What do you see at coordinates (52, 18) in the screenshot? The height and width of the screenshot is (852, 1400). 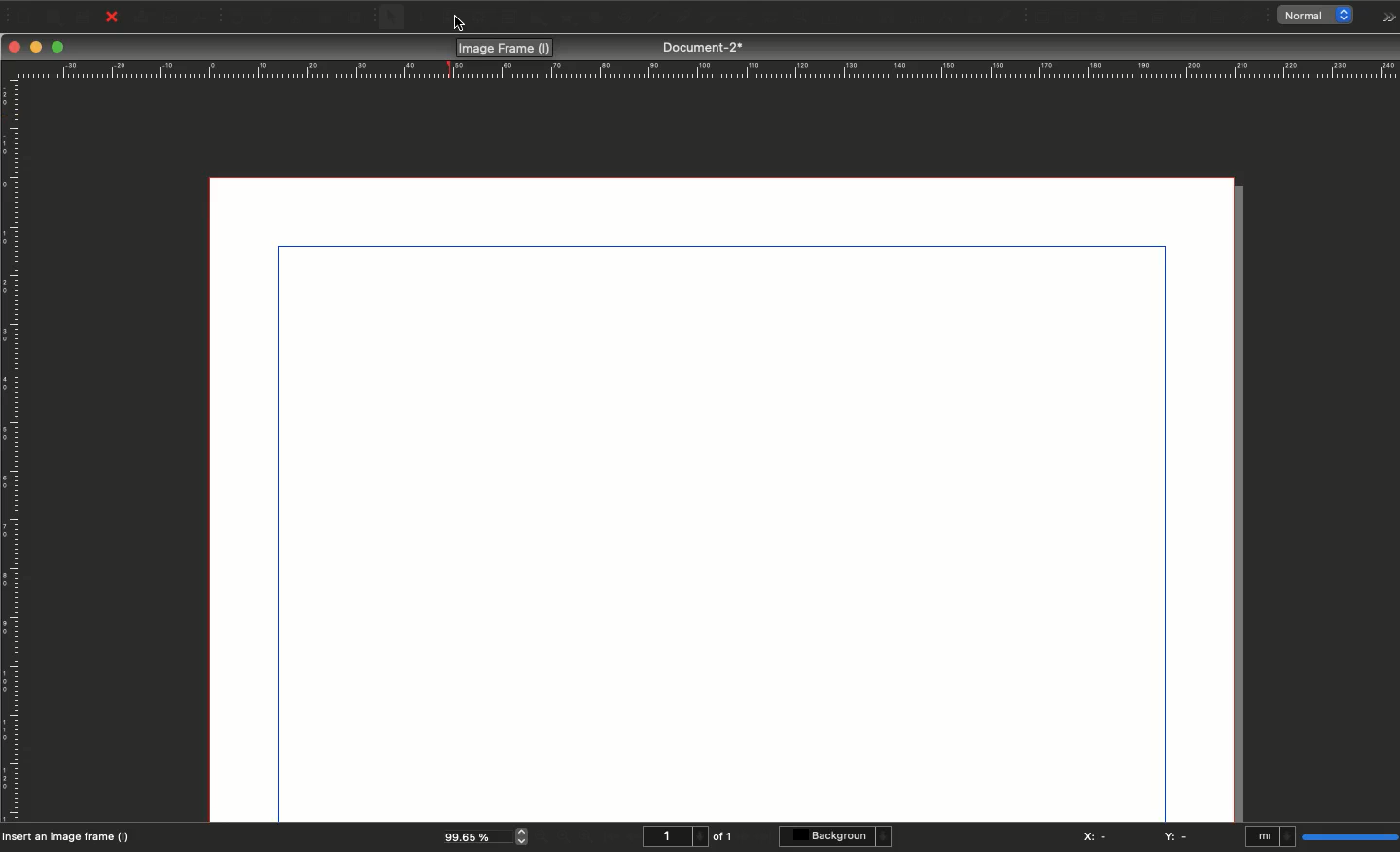 I see `Open` at bounding box center [52, 18].